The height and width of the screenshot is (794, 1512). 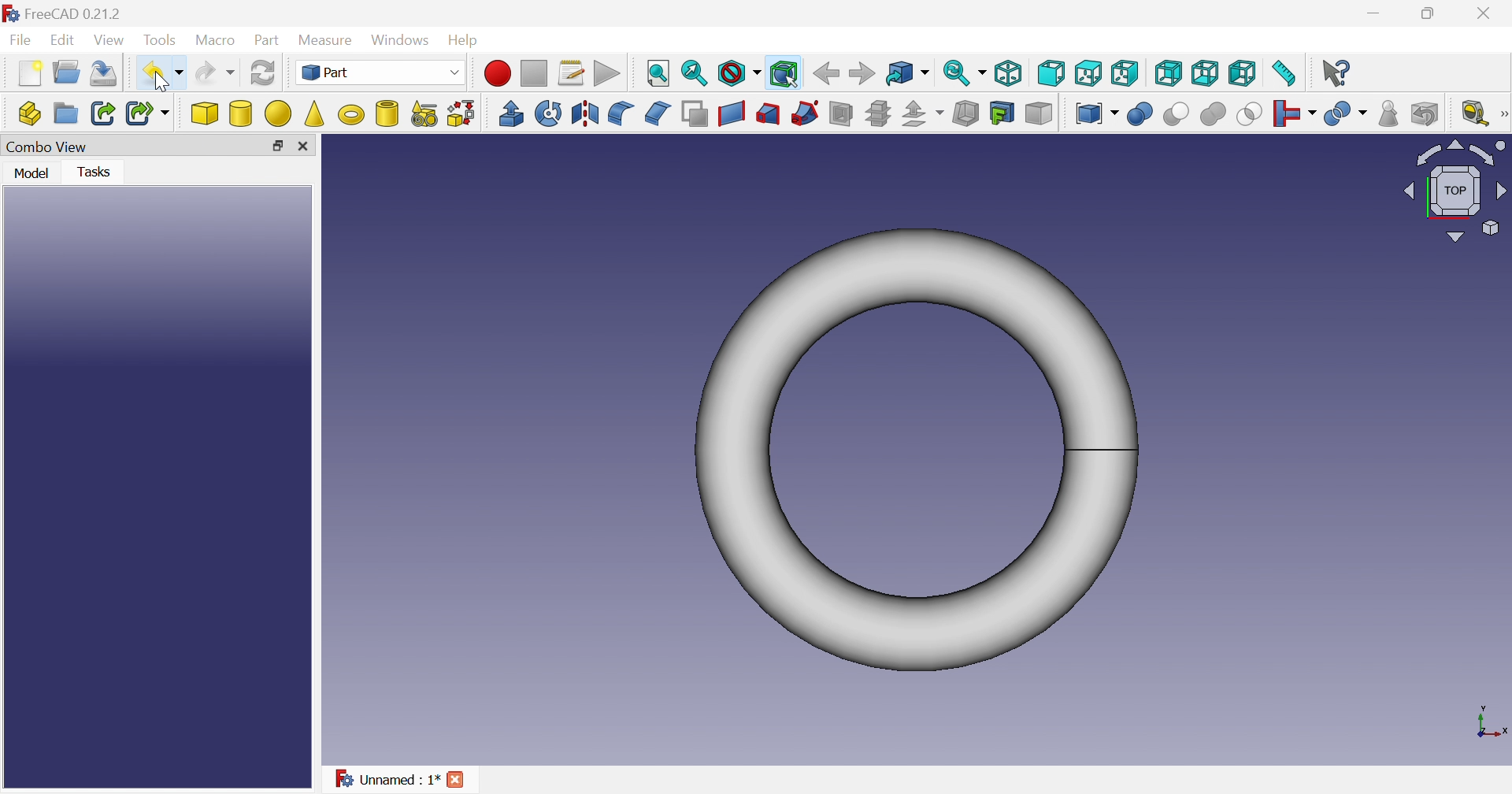 What do you see at coordinates (109, 41) in the screenshot?
I see `View` at bounding box center [109, 41].